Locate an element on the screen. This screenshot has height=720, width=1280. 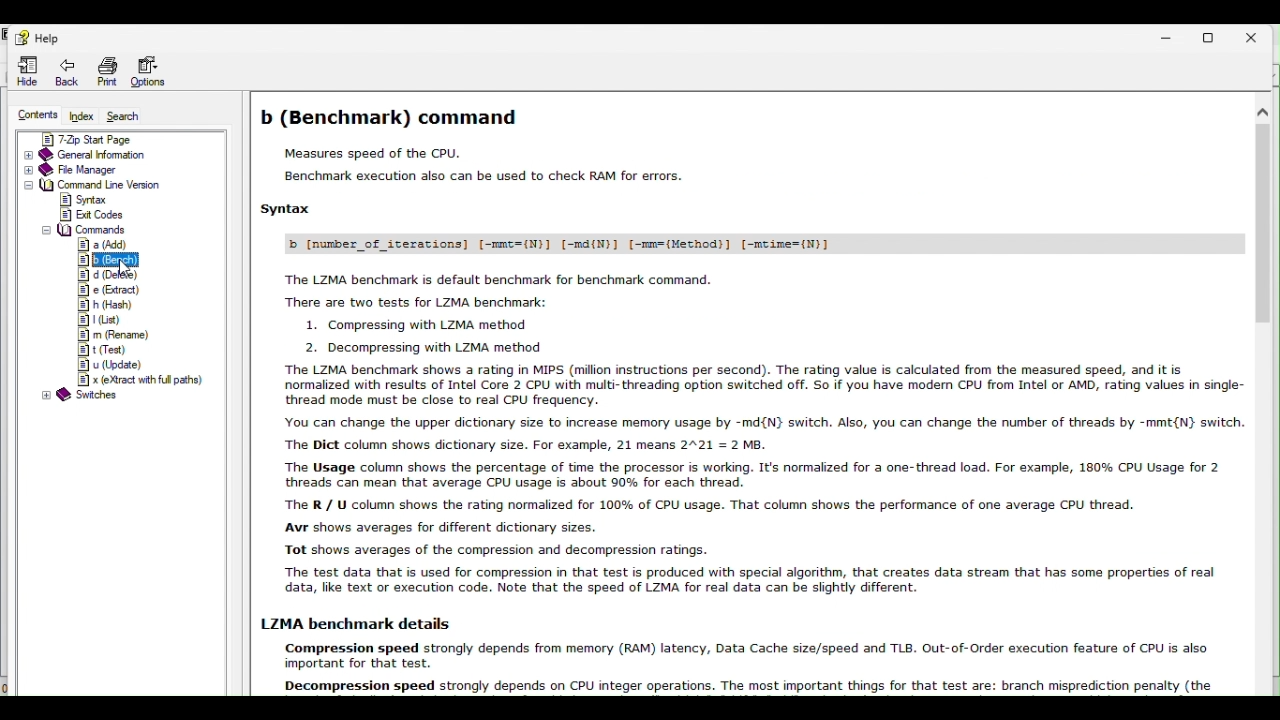
Hide is located at coordinates (27, 72).